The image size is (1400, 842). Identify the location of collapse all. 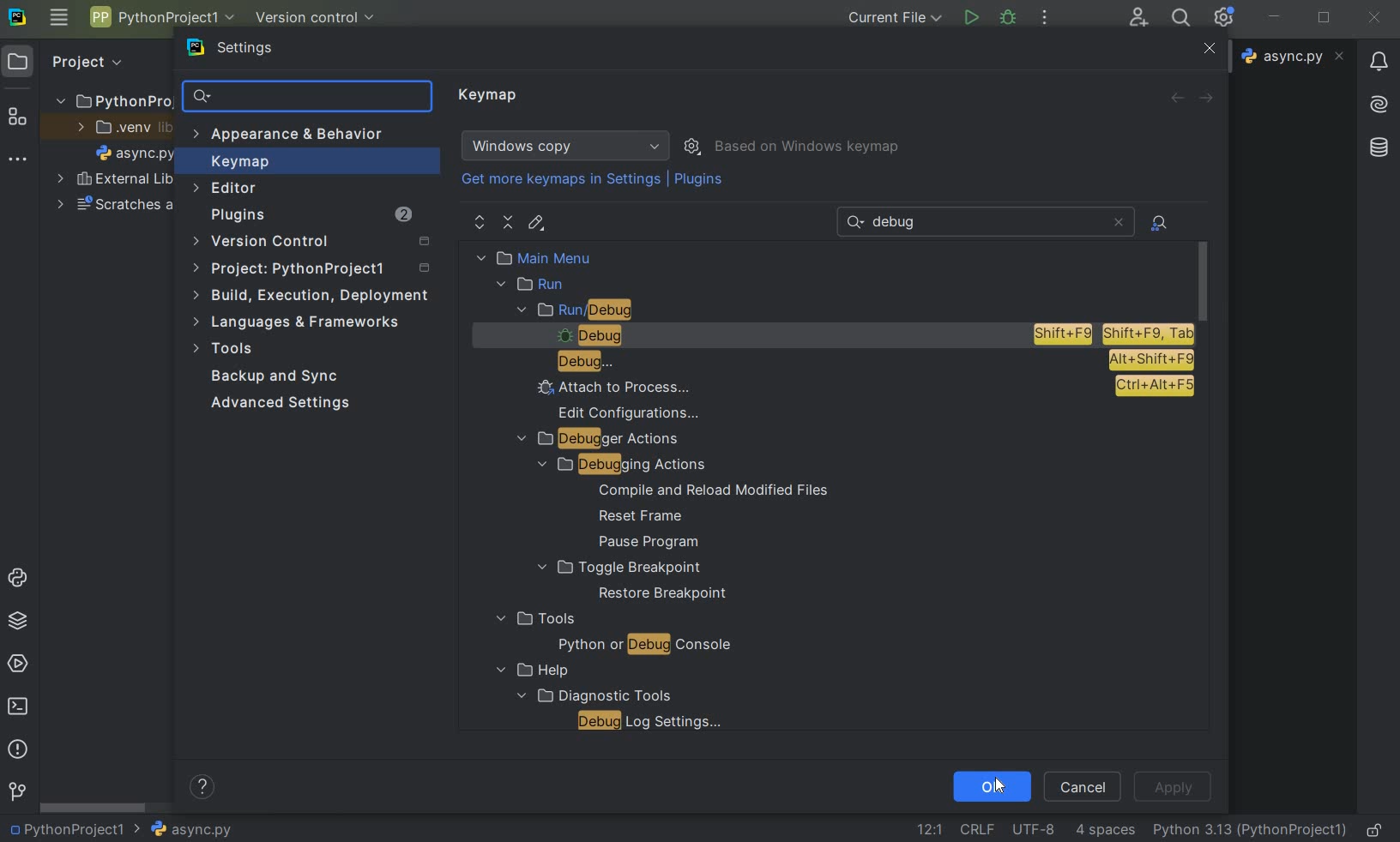
(509, 223).